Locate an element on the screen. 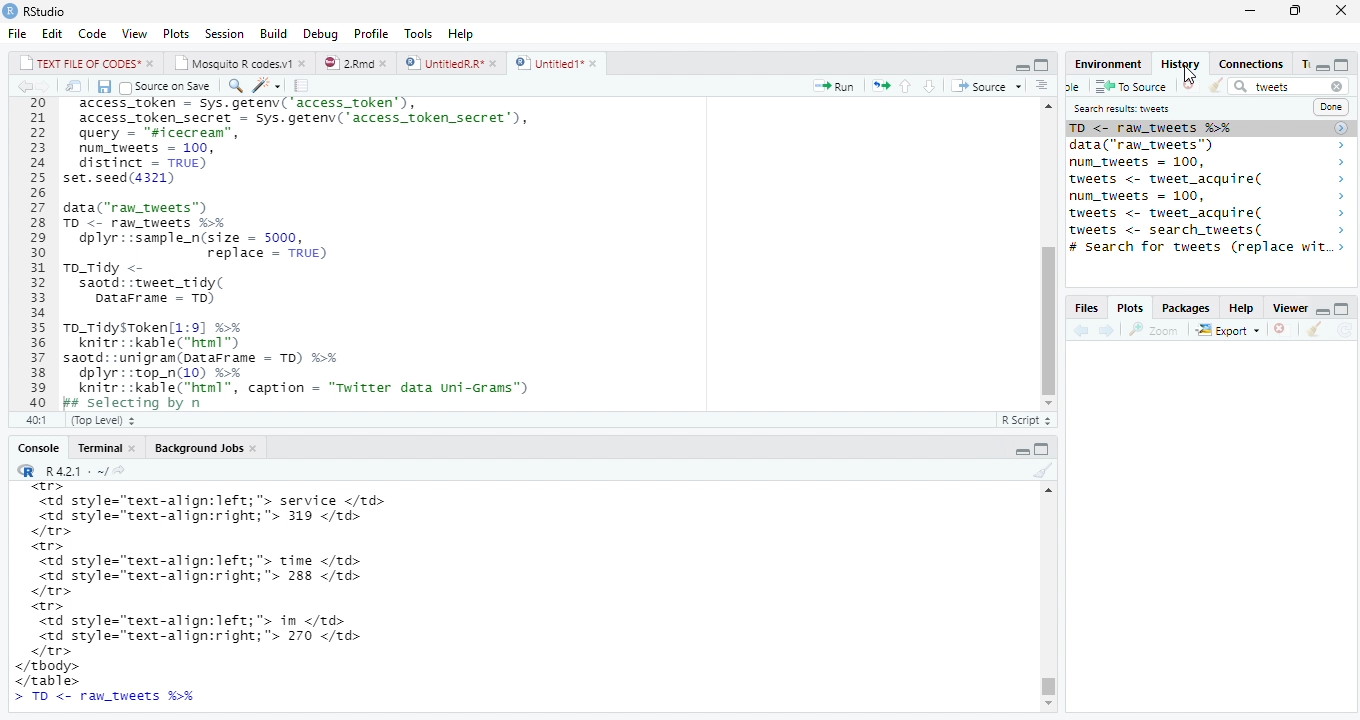  clear console is located at coordinates (1039, 471).